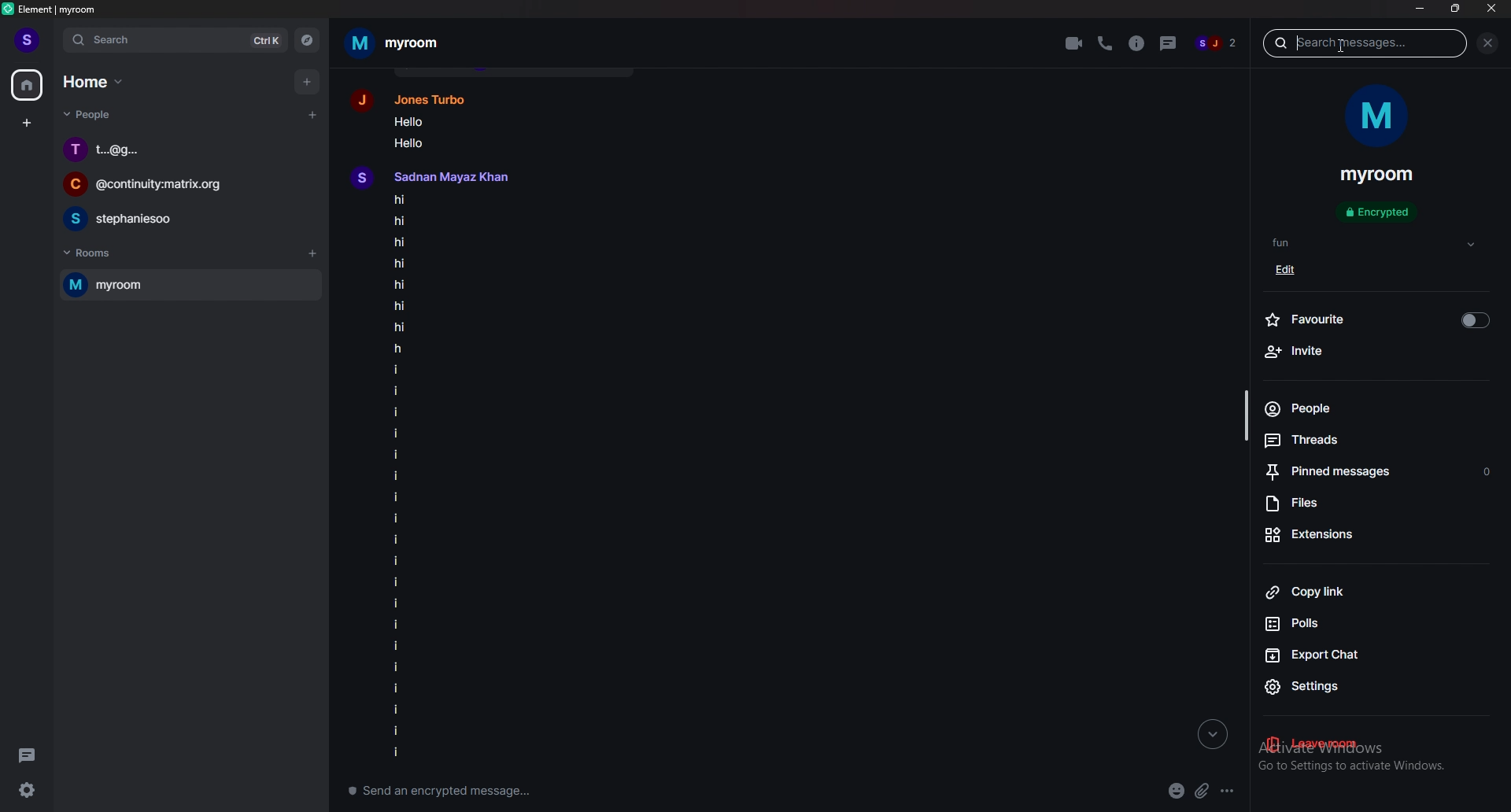 This screenshot has width=1511, height=812. What do you see at coordinates (1379, 319) in the screenshot?
I see `favourite` at bounding box center [1379, 319].